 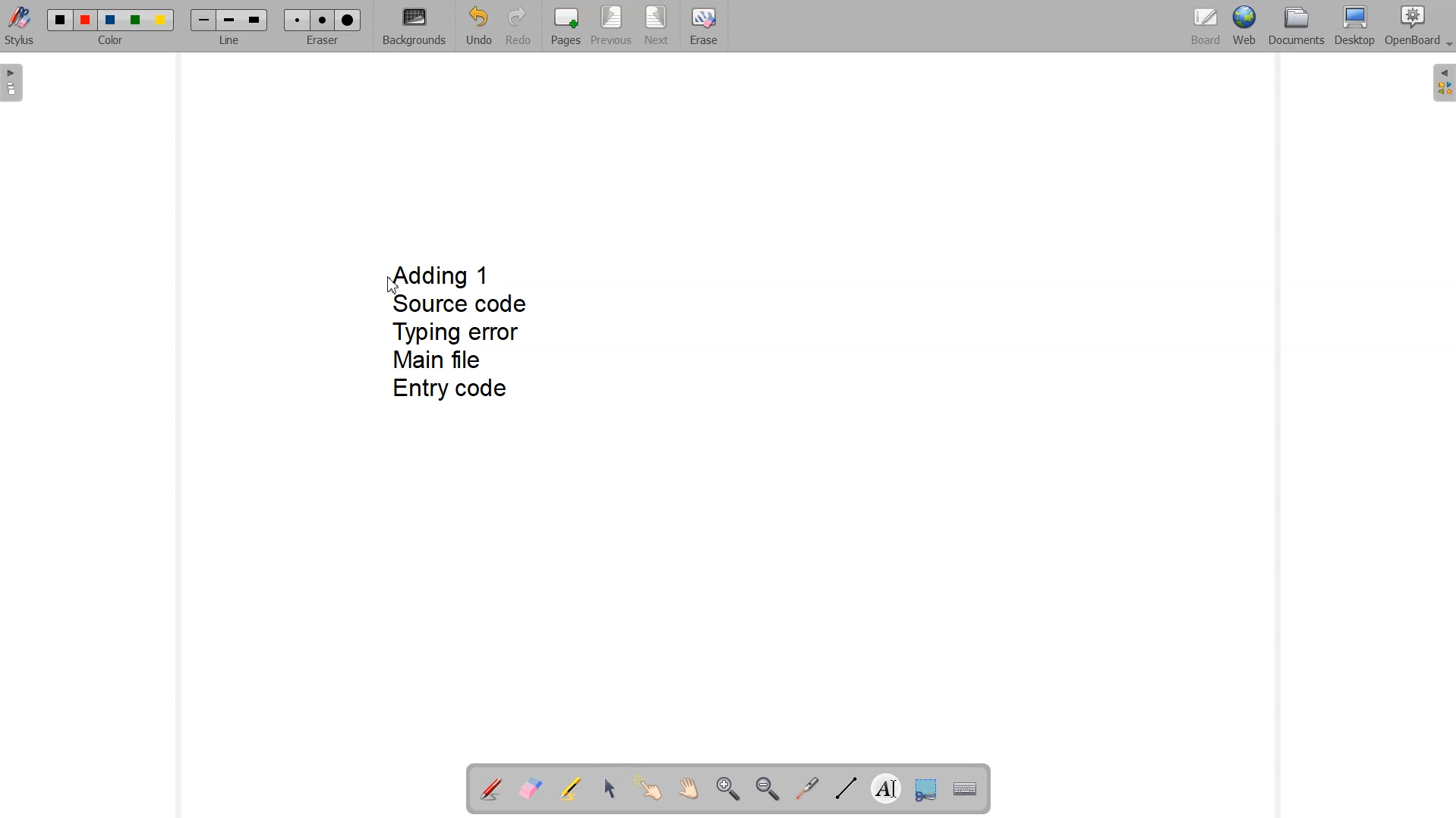 I want to click on Small eraser, so click(x=298, y=20).